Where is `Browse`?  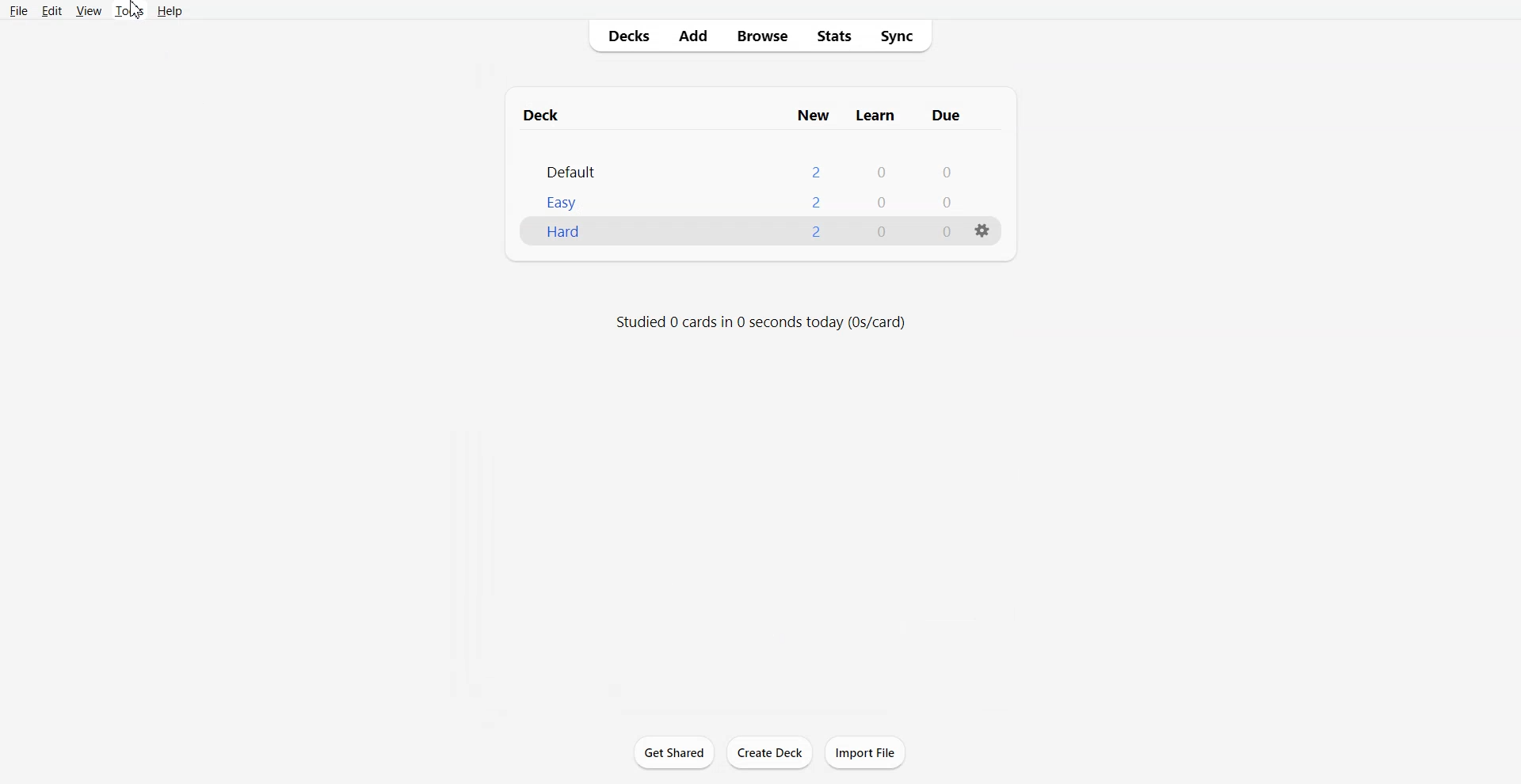 Browse is located at coordinates (764, 36).